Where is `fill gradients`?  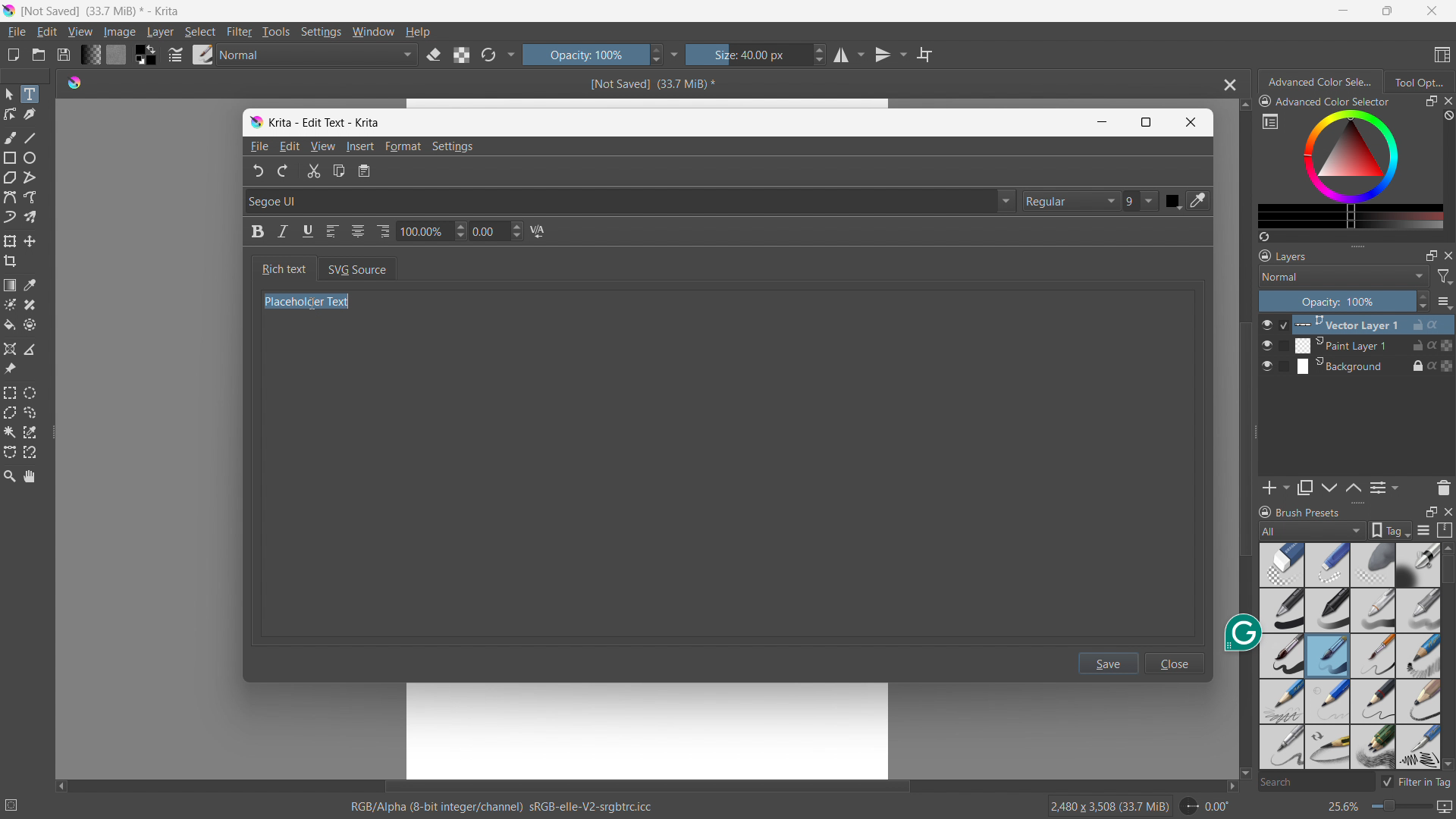 fill gradients is located at coordinates (90, 54).